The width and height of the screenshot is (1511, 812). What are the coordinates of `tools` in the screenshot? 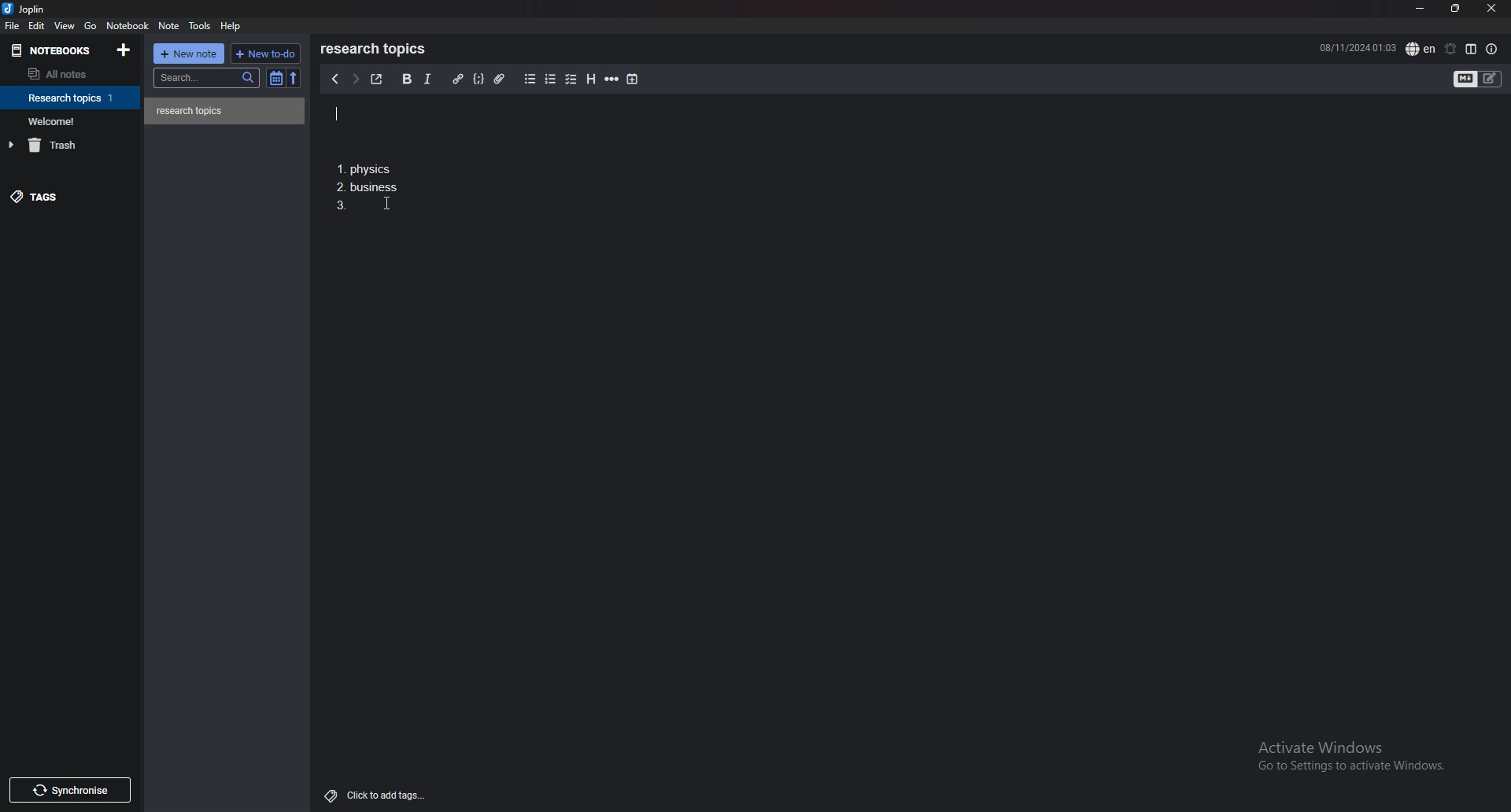 It's located at (200, 26).